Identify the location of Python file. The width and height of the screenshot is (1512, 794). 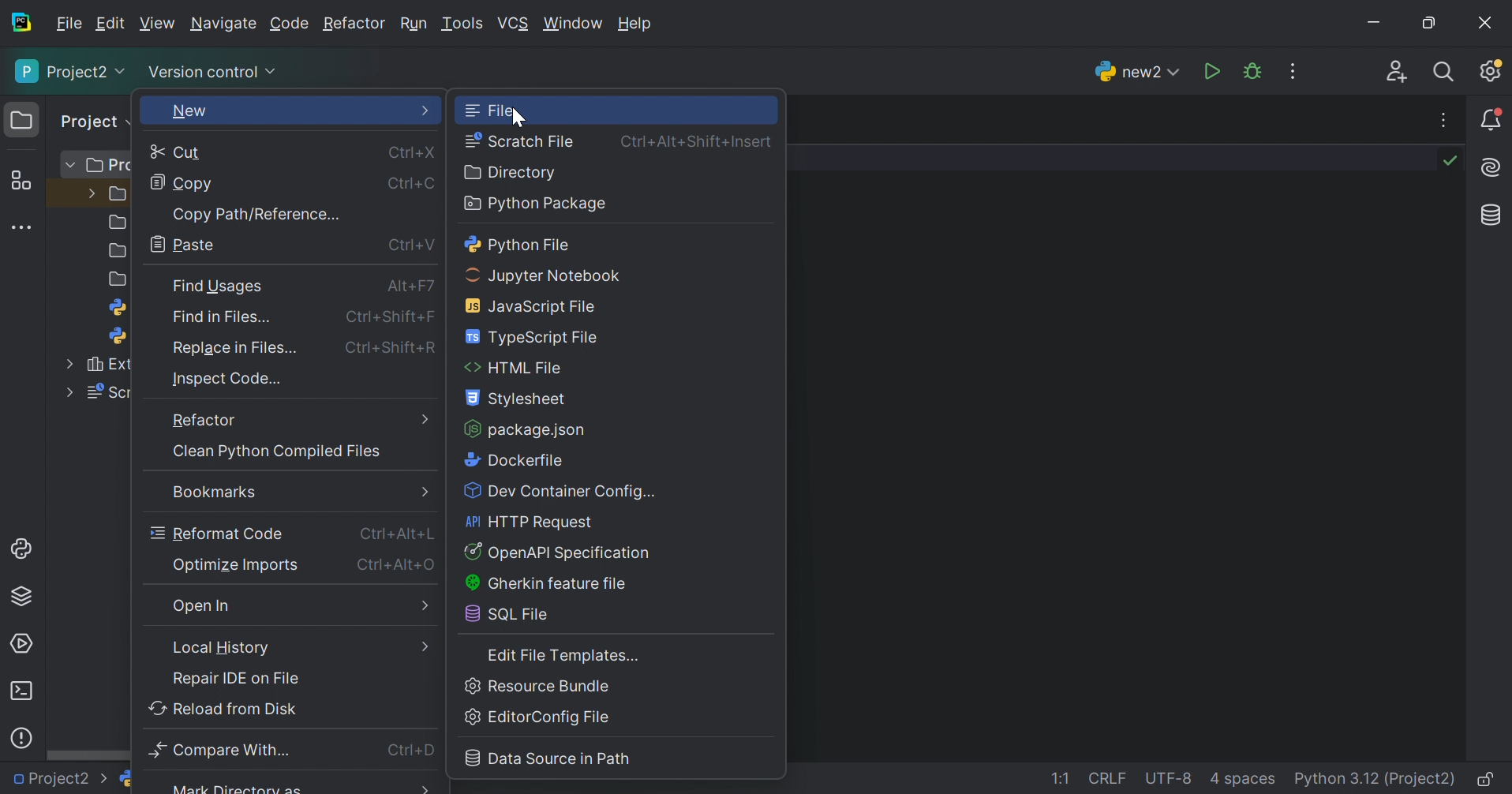
(519, 245).